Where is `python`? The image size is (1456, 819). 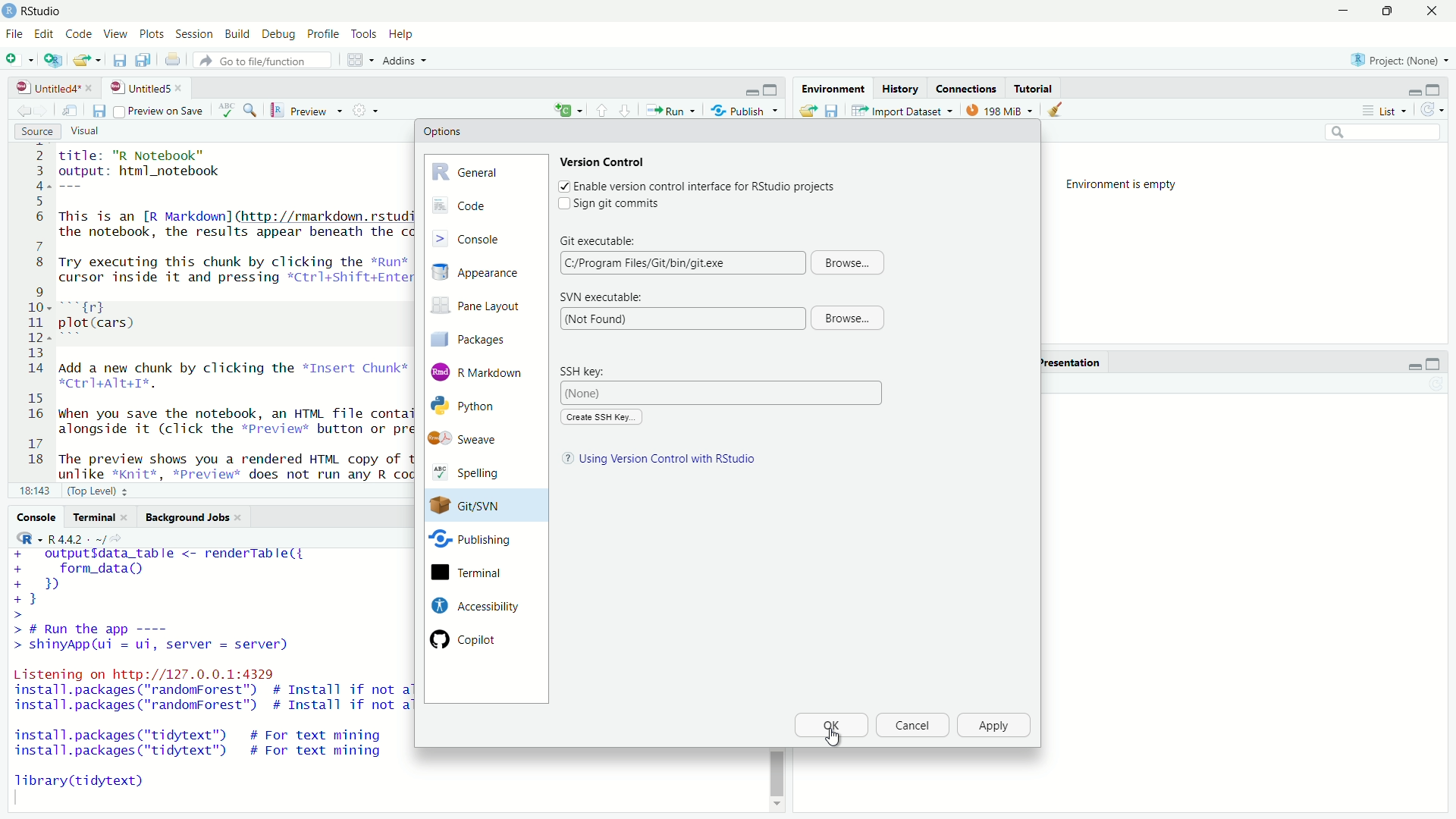 python is located at coordinates (476, 406).